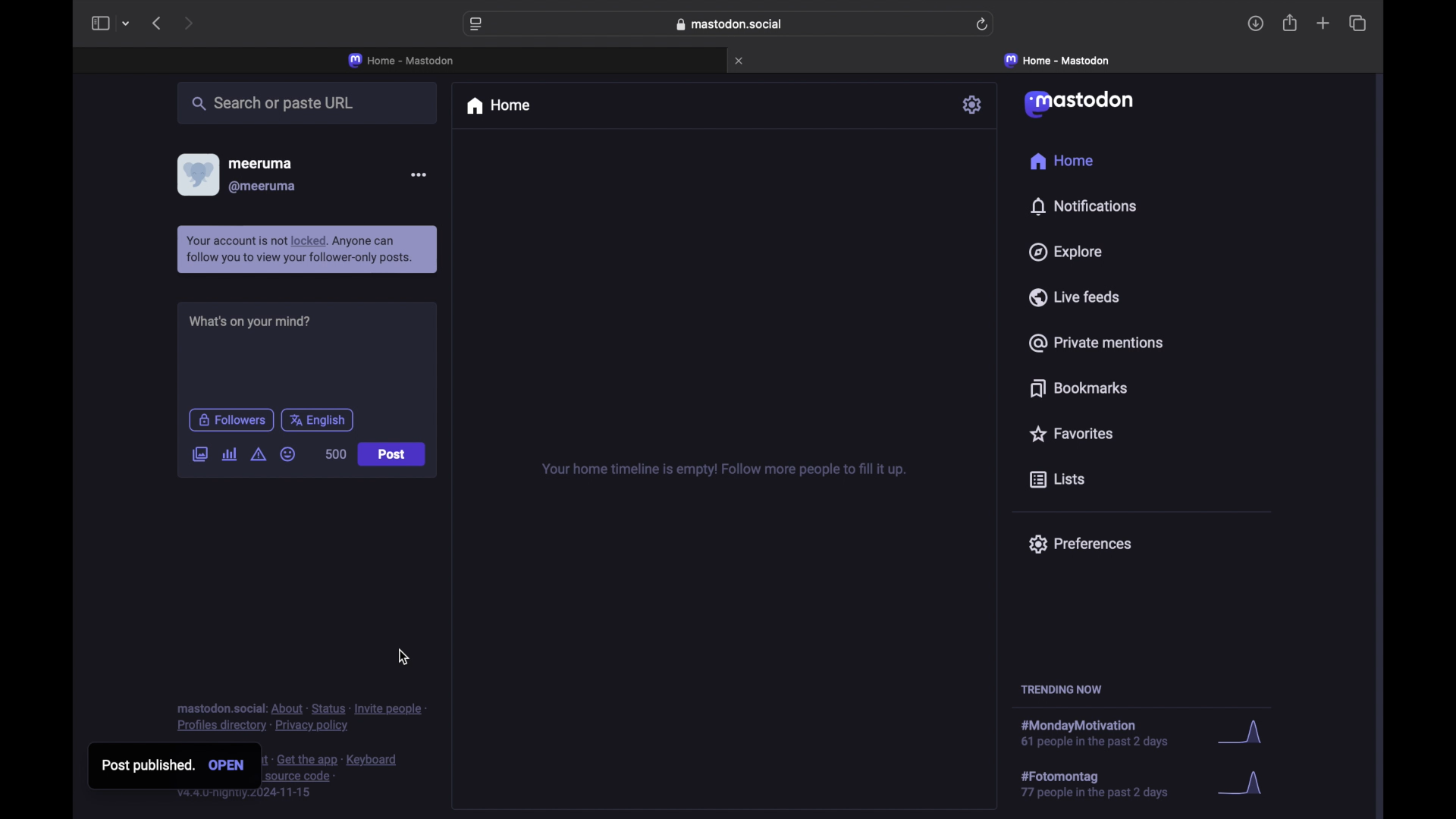 The height and width of the screenshot is (819, 1456). What do you see at coordinates (723, 469) in the screenshot?
I see `your  home timeline is empty! follow more people to fill it up` at bounding box center [723, 469].